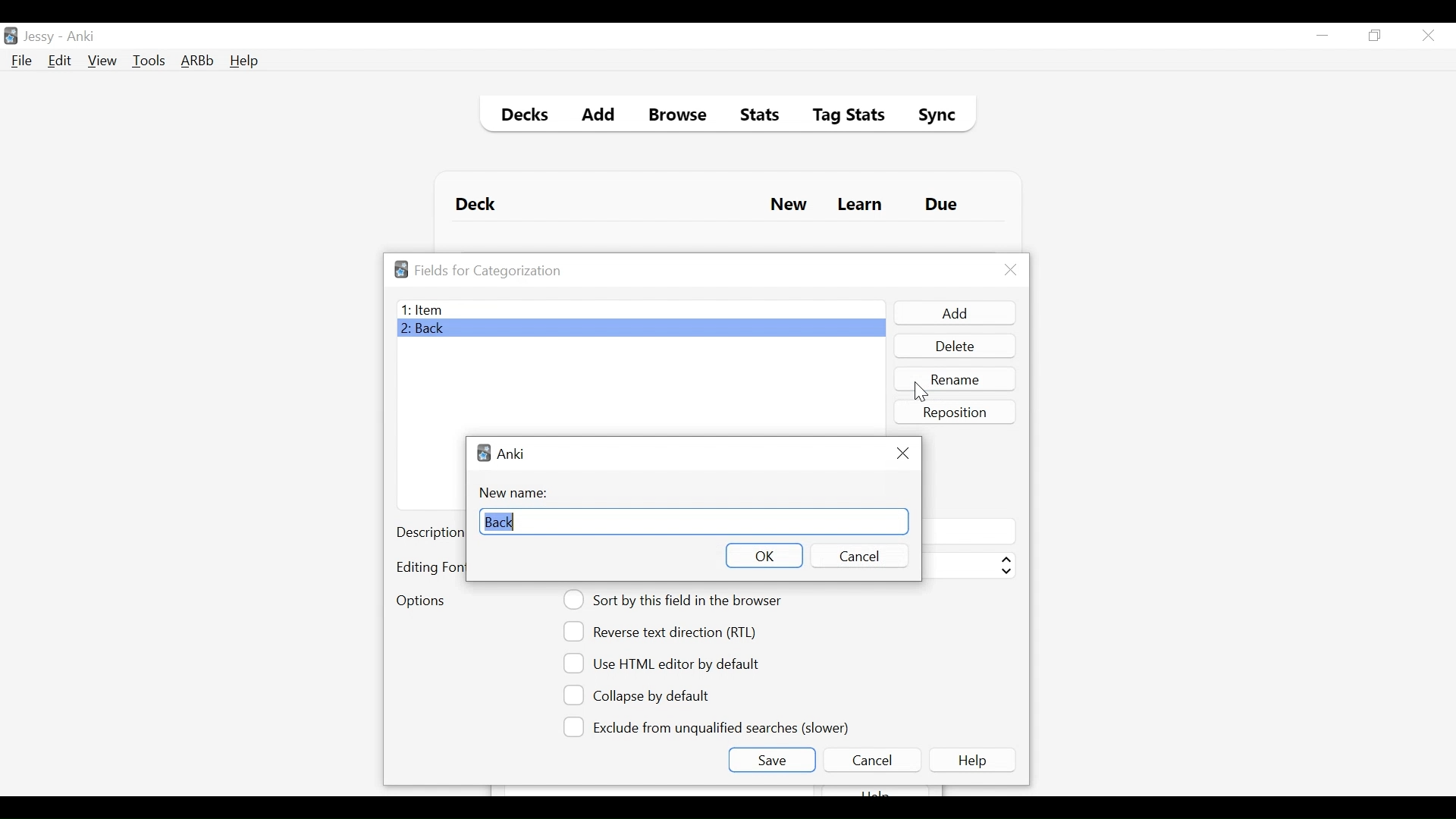  Describe the element at coordinates (243, 62) in the screenshot. I see `Help` at that location.